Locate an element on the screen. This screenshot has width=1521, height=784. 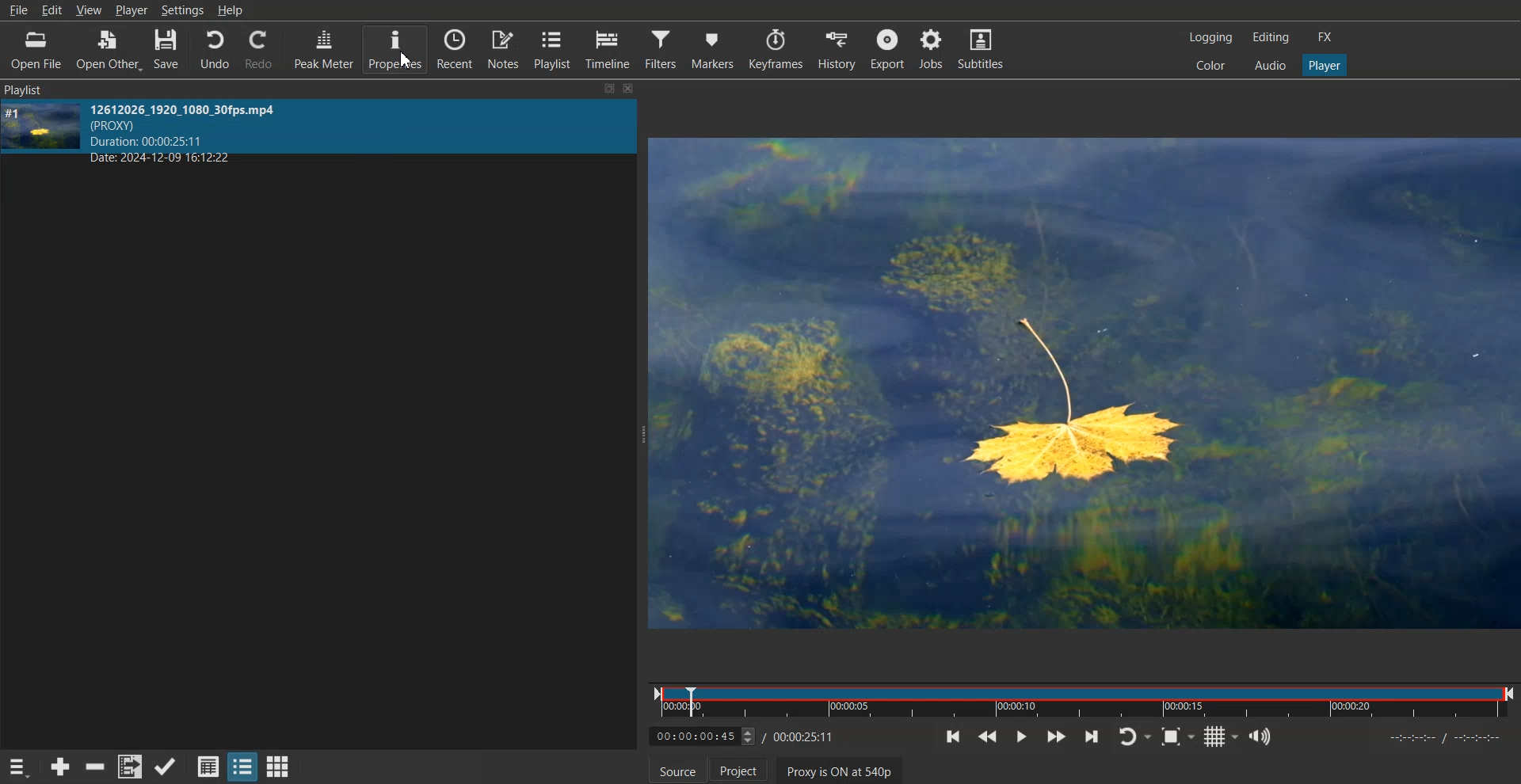
Filters is located at coordinates (661, 48).